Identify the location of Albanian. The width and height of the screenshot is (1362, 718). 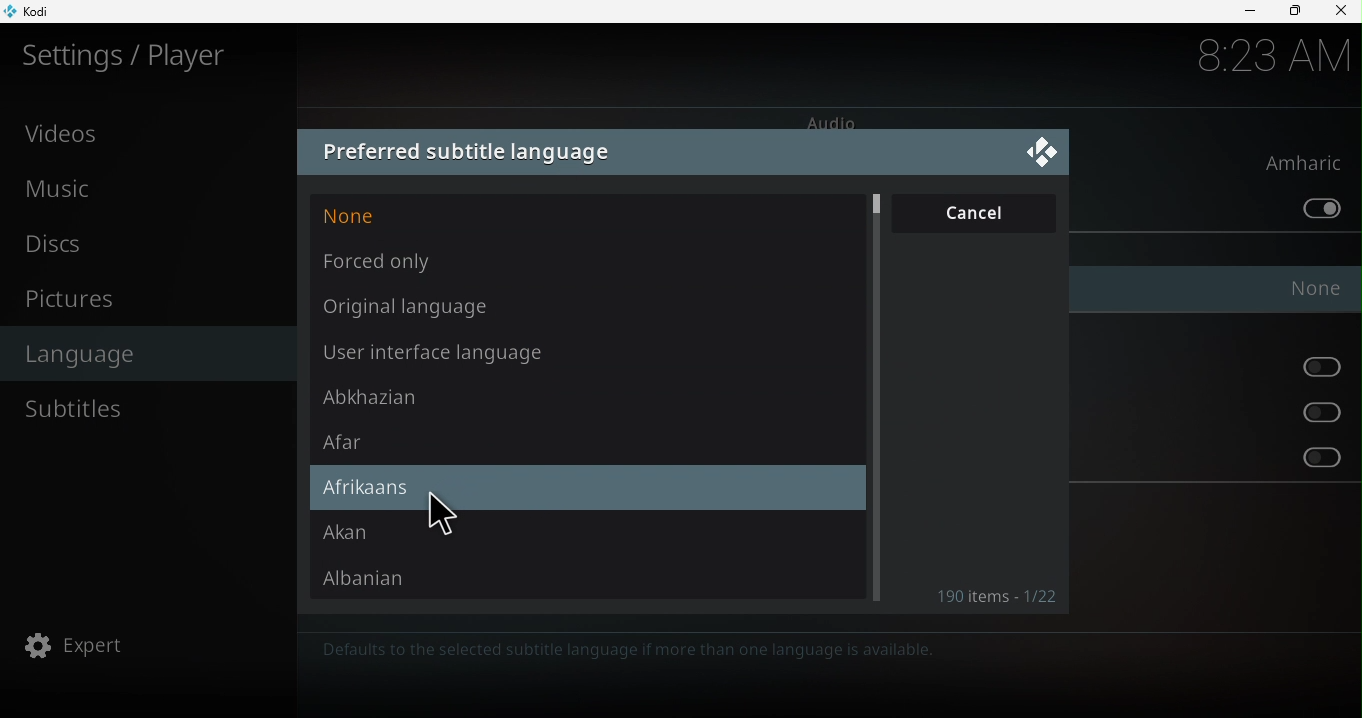
(582, 579).